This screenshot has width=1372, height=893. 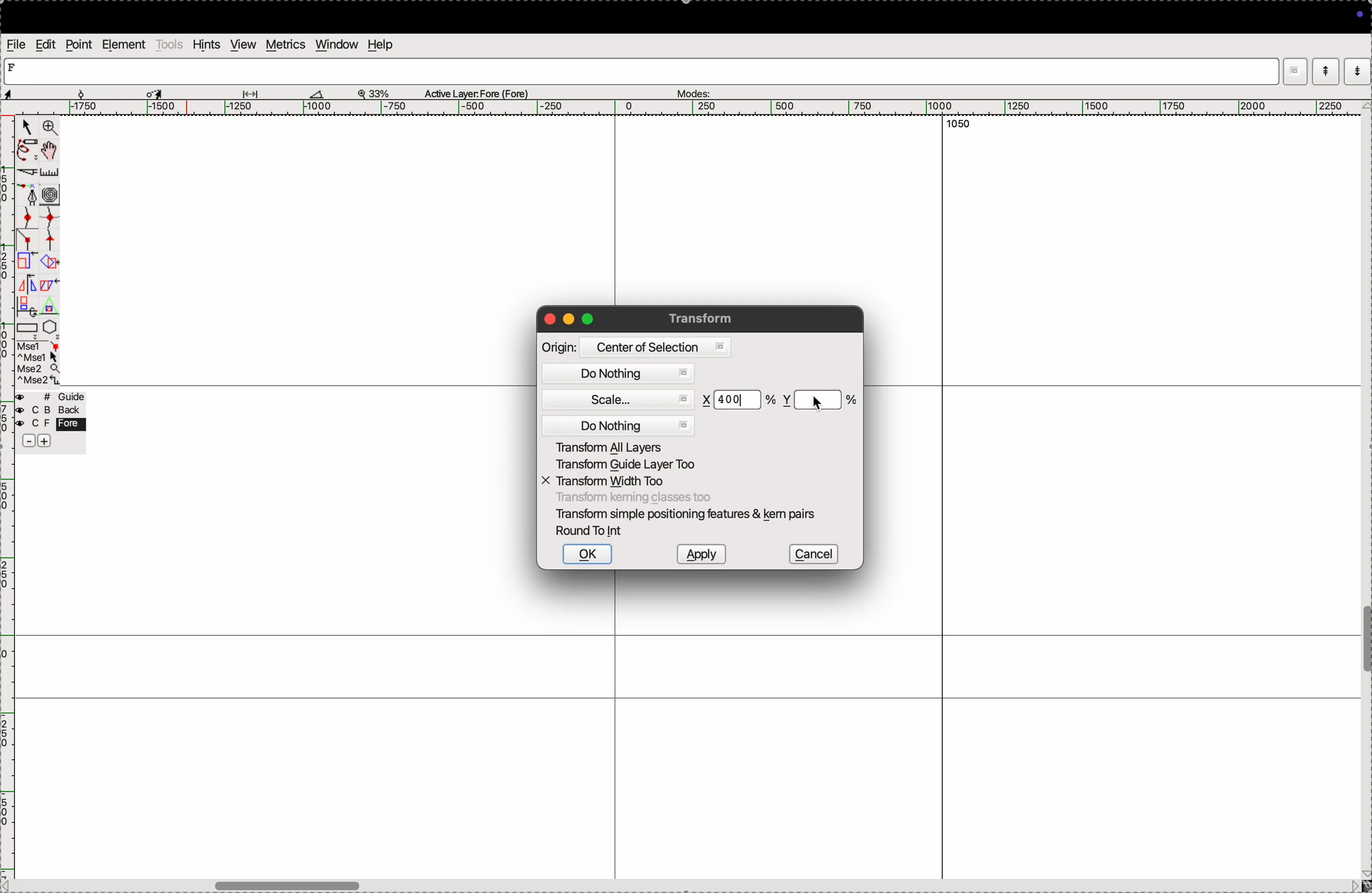 What do you see at coordinates (254, 93) in the screenshot?
I see `glide` at bounding box center [254, 93].